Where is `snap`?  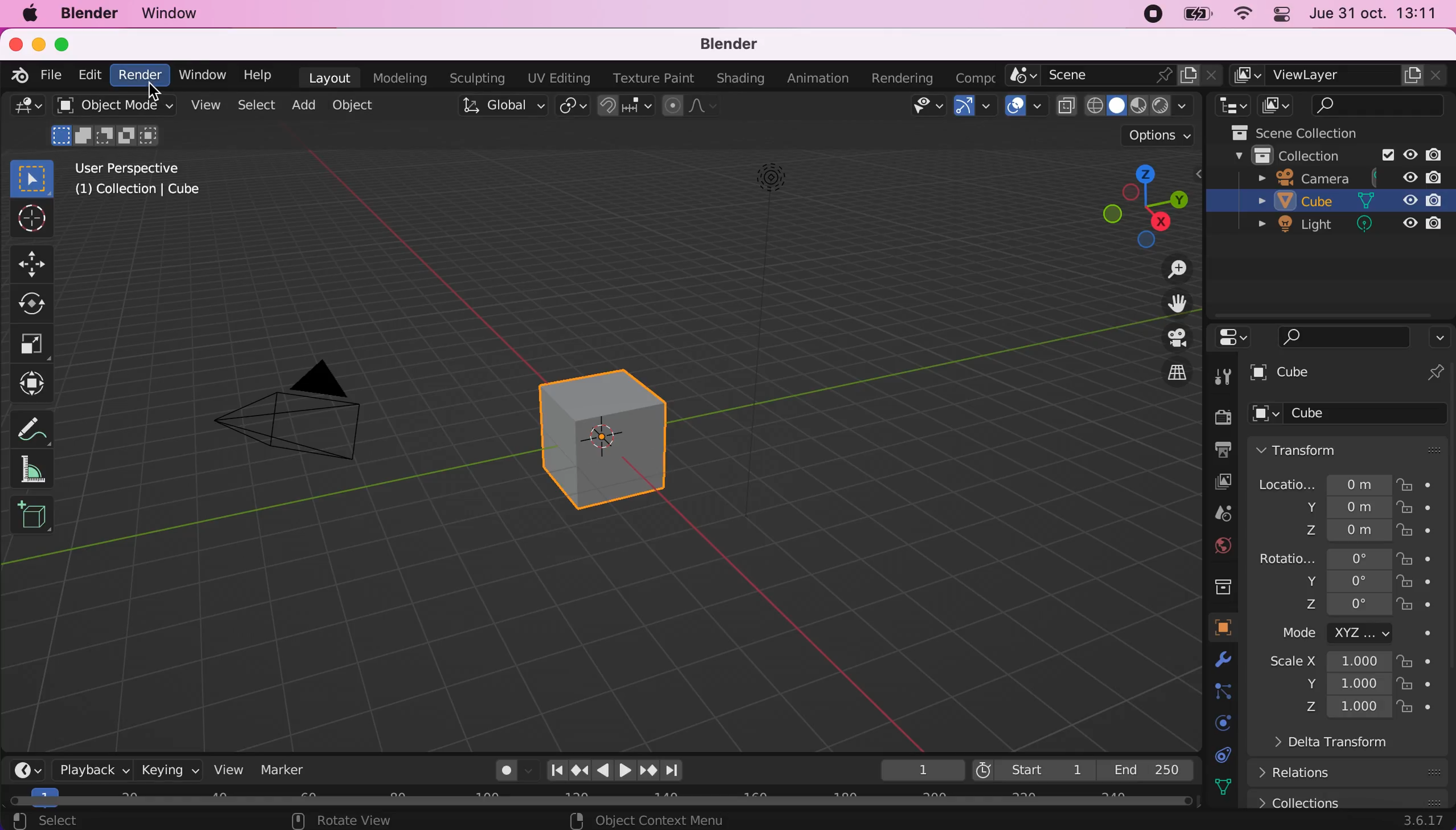 snap is located at coordinates (626, 110).